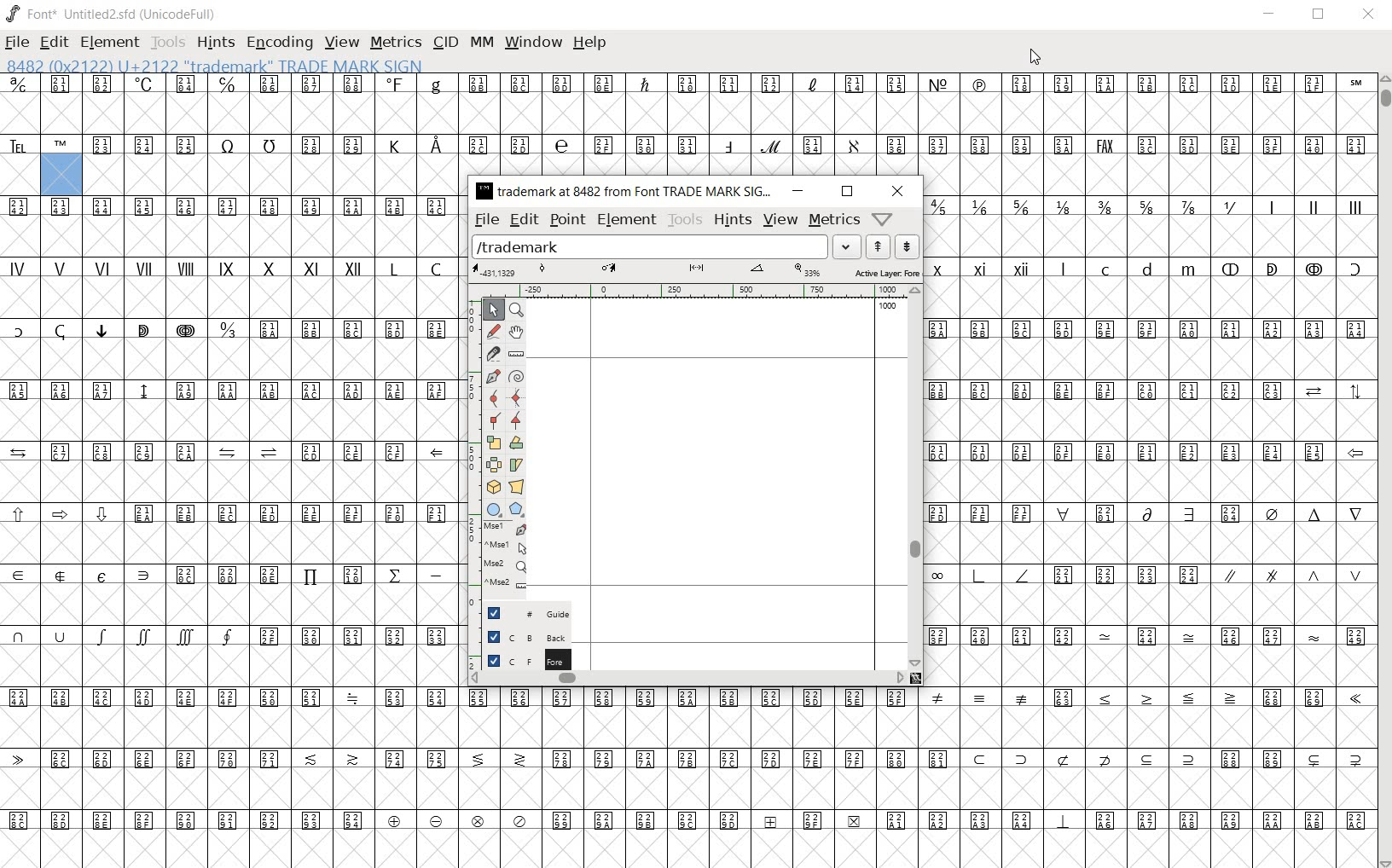 The height and width of the screenshot is (868, 1392). I want to click on view, so click(780, 220).